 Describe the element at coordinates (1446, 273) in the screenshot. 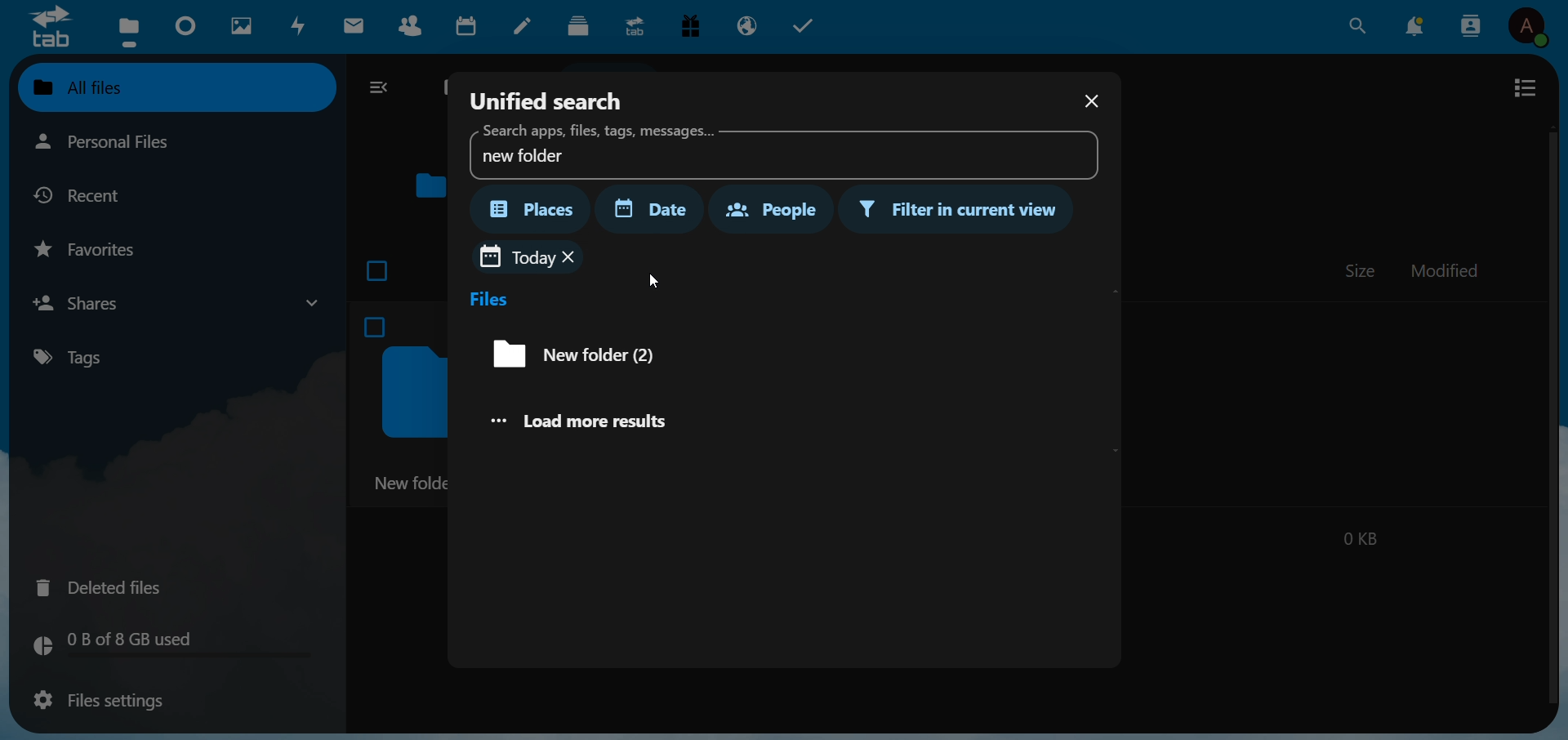

I see `modified` at that location.